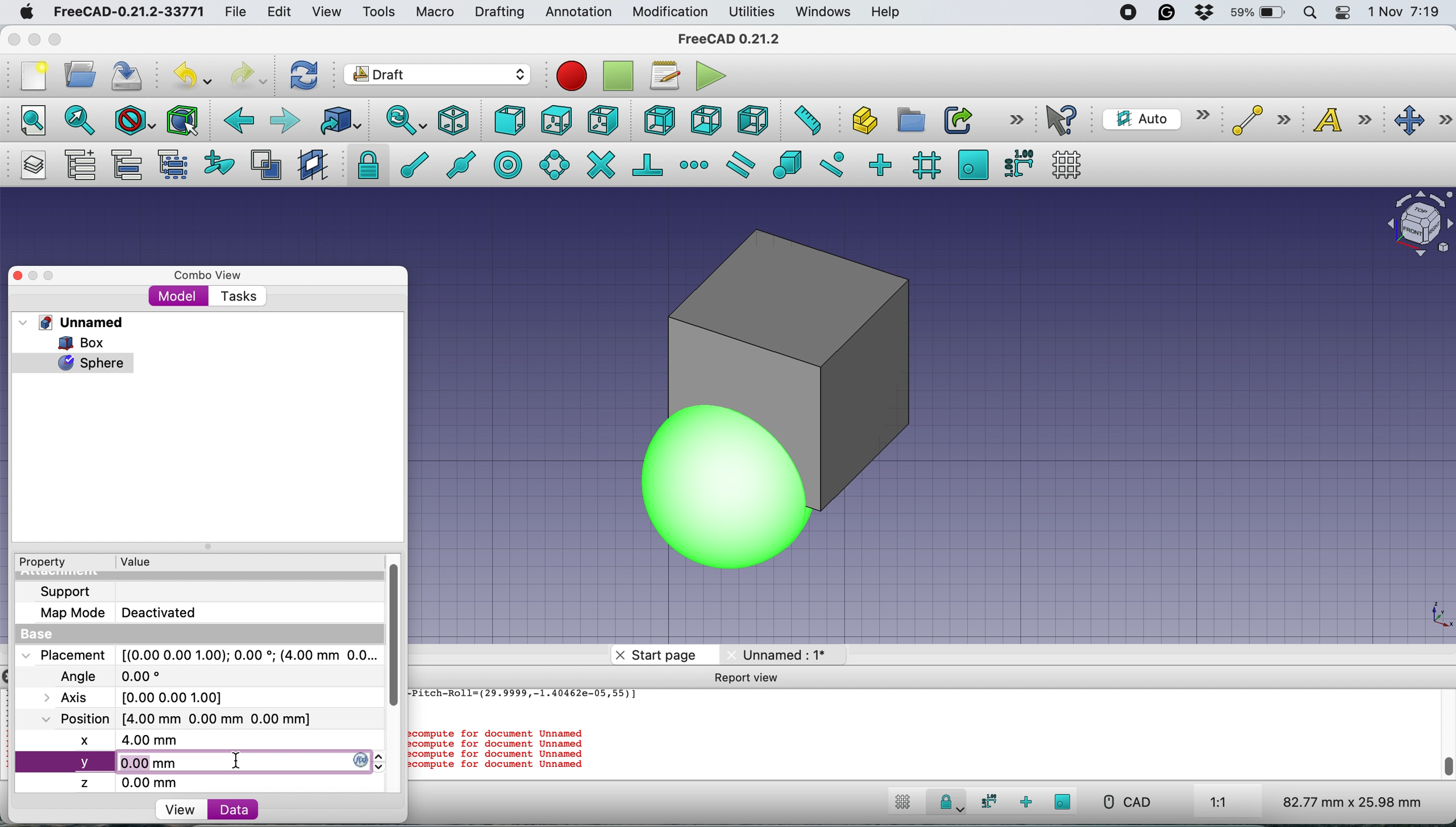 Image resolution: width=1456 pixels, height=827 pixels. What do you see at coordinates (139, 742) in the screenshot?
I see `new x axis value` at bounding box center [139, 742].